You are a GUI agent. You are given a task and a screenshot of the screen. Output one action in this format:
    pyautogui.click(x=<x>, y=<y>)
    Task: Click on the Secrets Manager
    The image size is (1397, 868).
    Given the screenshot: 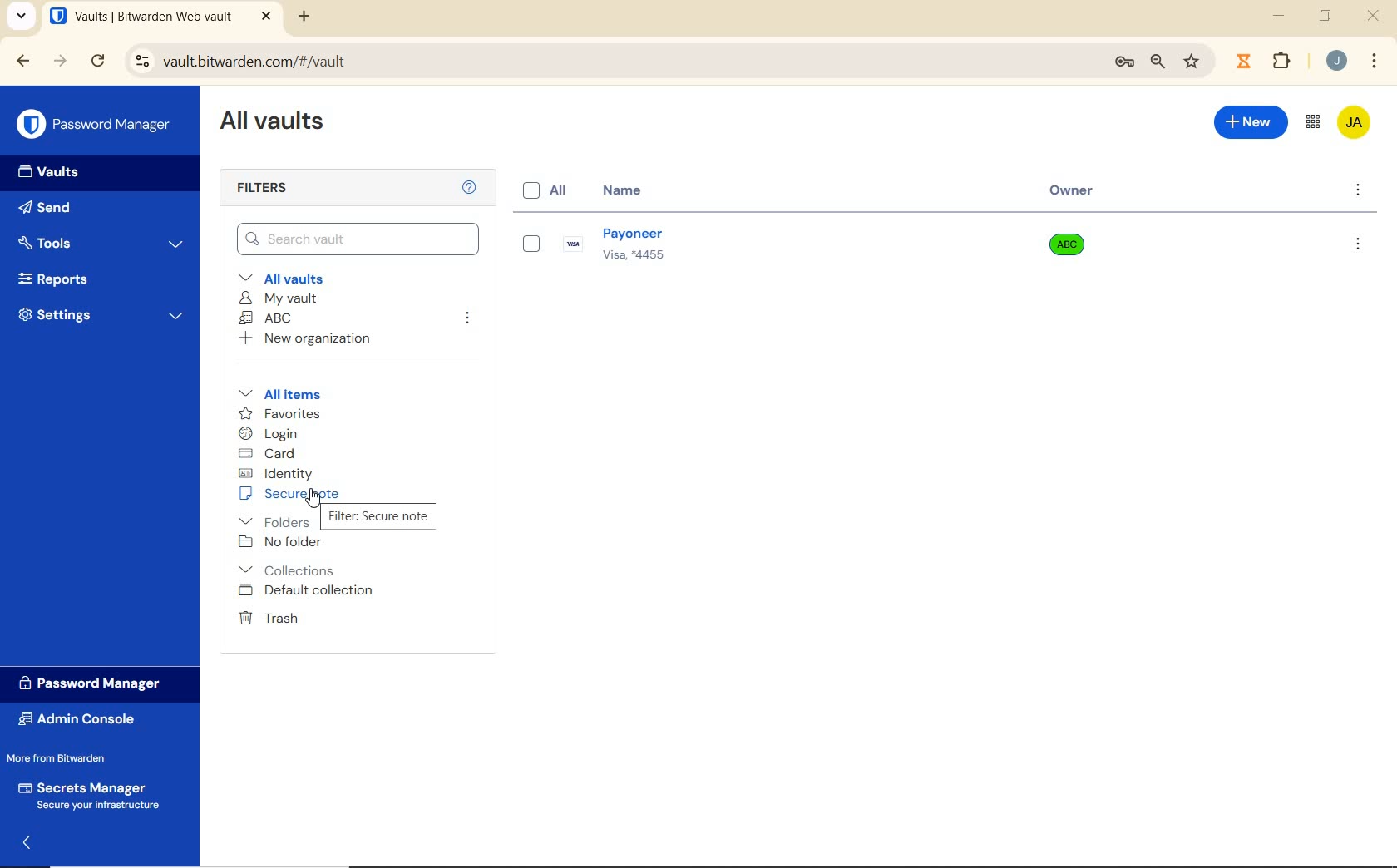 What is the action you would take?
    pyautogui.click(x=93, y=795)
    